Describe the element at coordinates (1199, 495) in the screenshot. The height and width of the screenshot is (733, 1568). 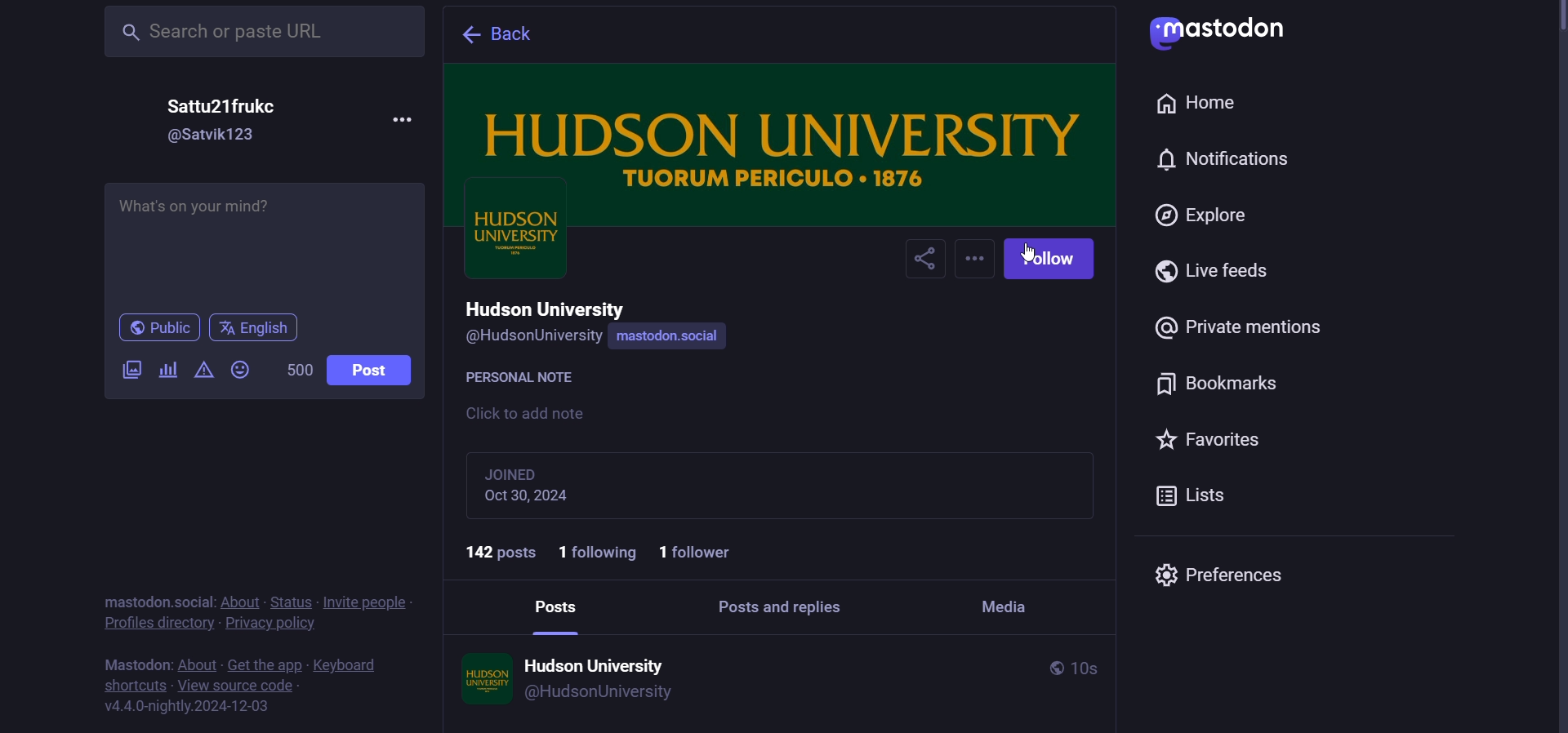
I see `lists` at that location.